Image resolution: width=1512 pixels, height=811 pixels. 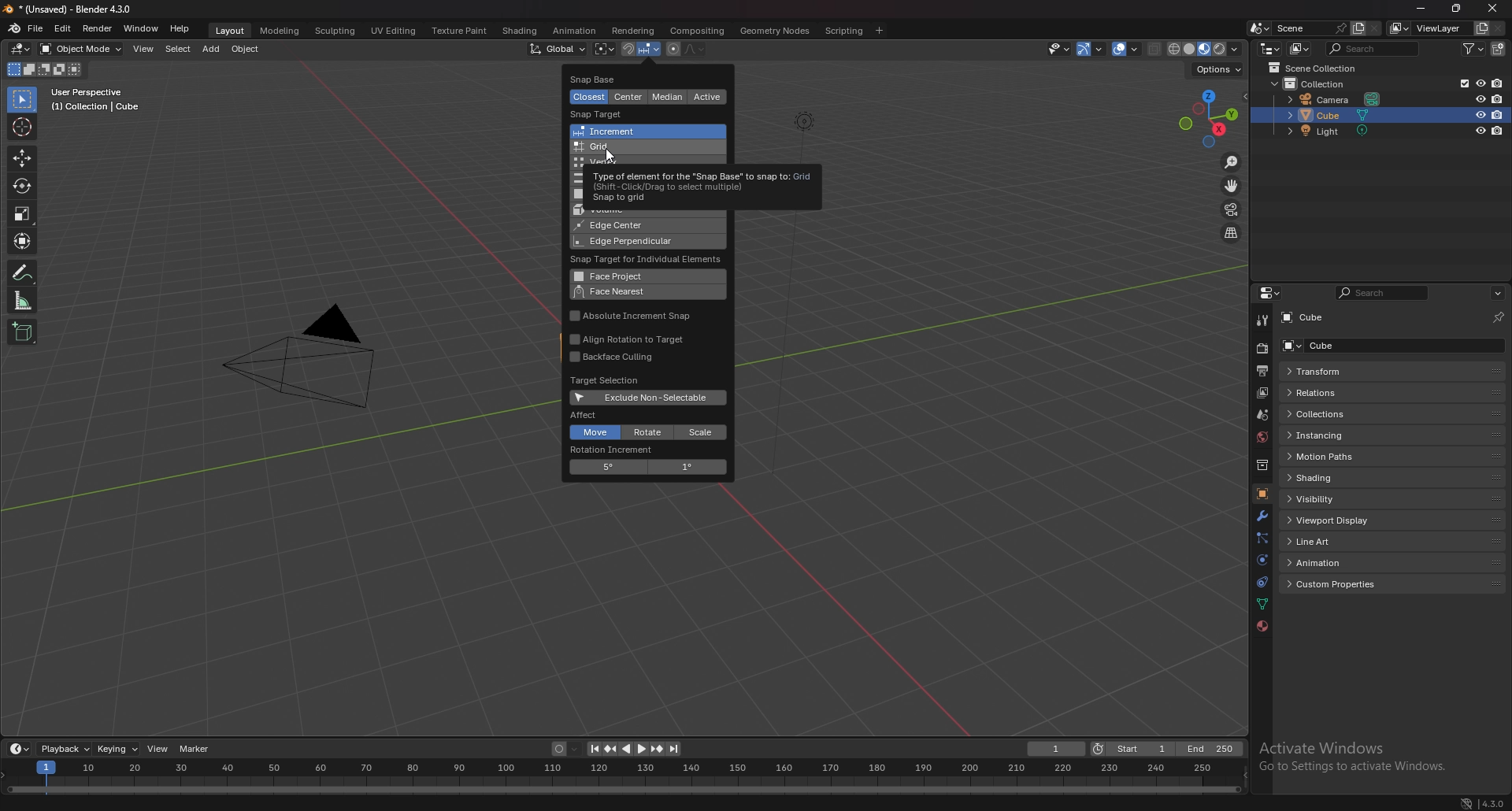 I want to click on transform, so click(x=1334, y=372).